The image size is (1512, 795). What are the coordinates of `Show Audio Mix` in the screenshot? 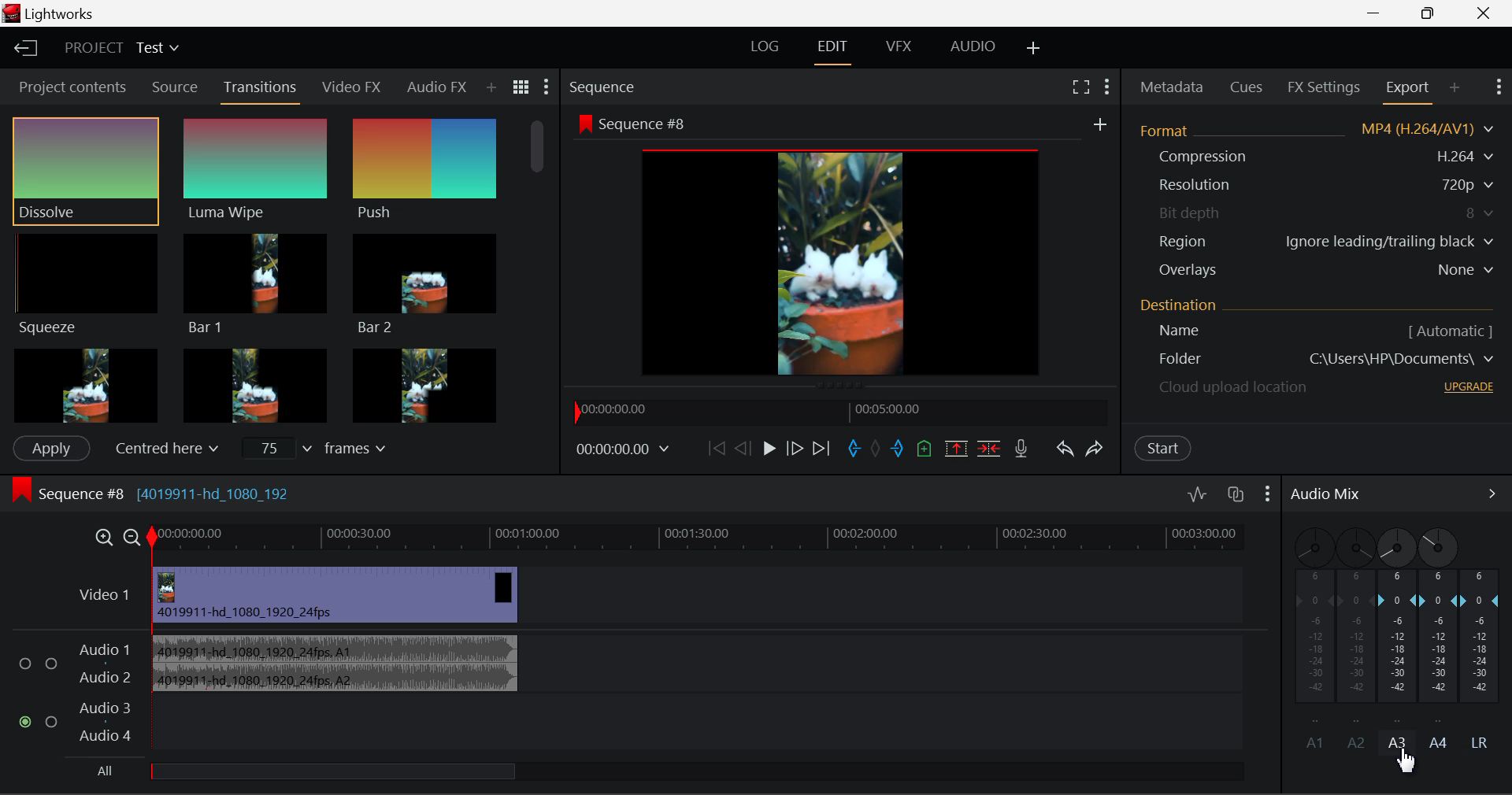 It's located at (1492, 496).